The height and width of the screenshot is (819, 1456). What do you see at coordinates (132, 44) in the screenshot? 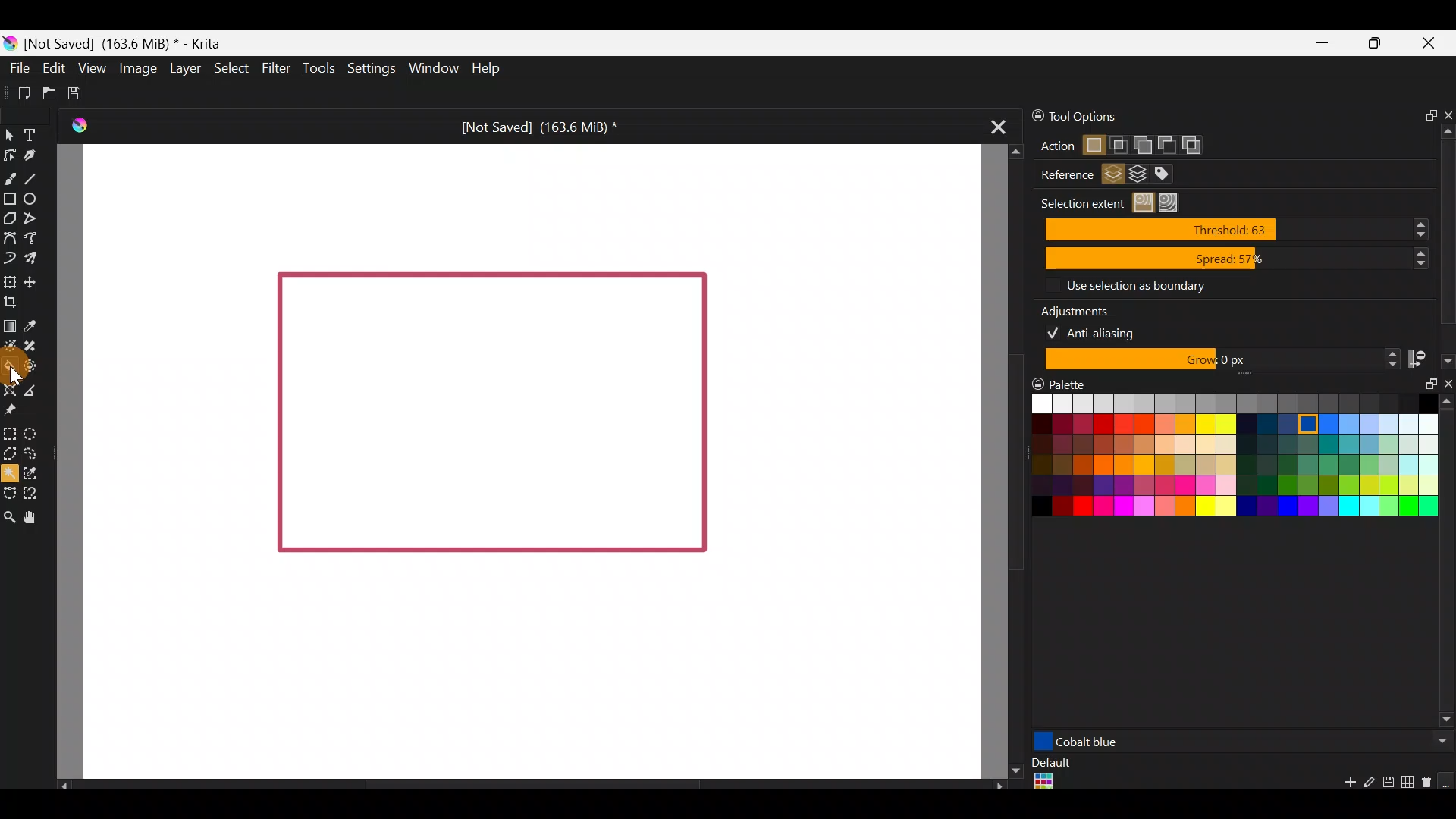
I see `[Not Saved] (163.6 MiB) * - Krita` at bounding box center [132, 44].